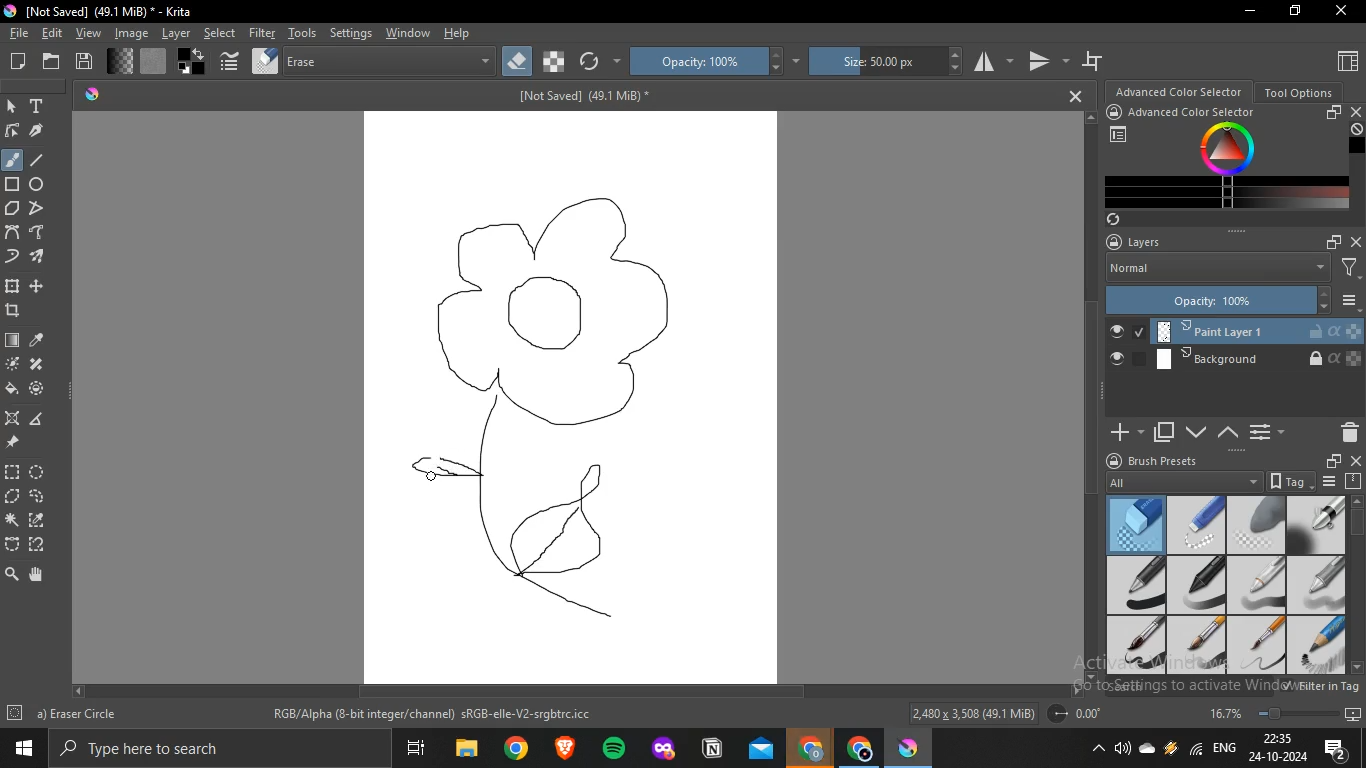 This screenshot has width=1366, height=768. Describe the element at coordinates (156, 61) in the screenshot. I see `fill patterns` at that location.